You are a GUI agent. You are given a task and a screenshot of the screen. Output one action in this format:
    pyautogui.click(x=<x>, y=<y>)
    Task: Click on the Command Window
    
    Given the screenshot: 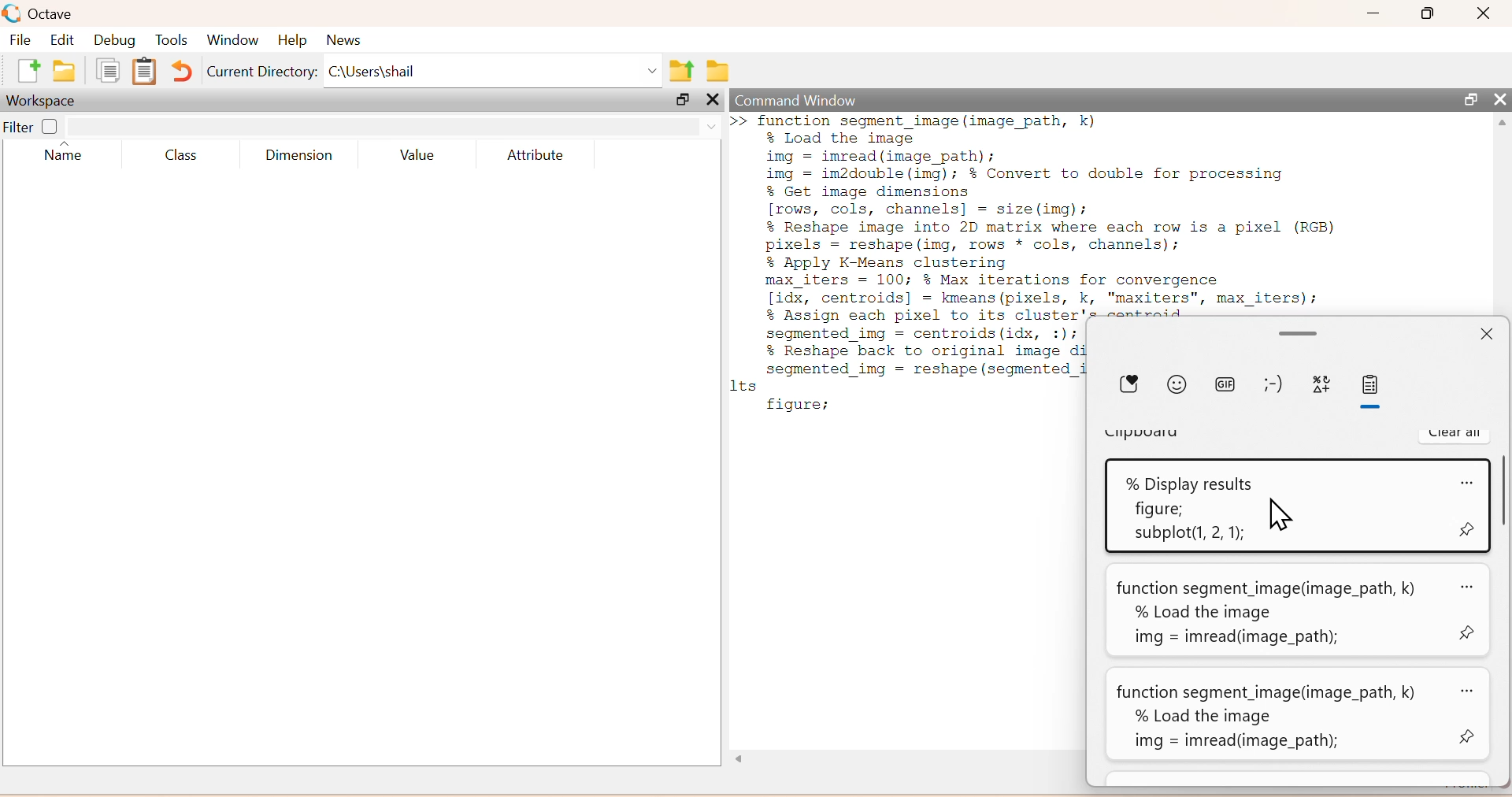 What is the action you would take?
    pyautogui.click(x=801, y=100)
    